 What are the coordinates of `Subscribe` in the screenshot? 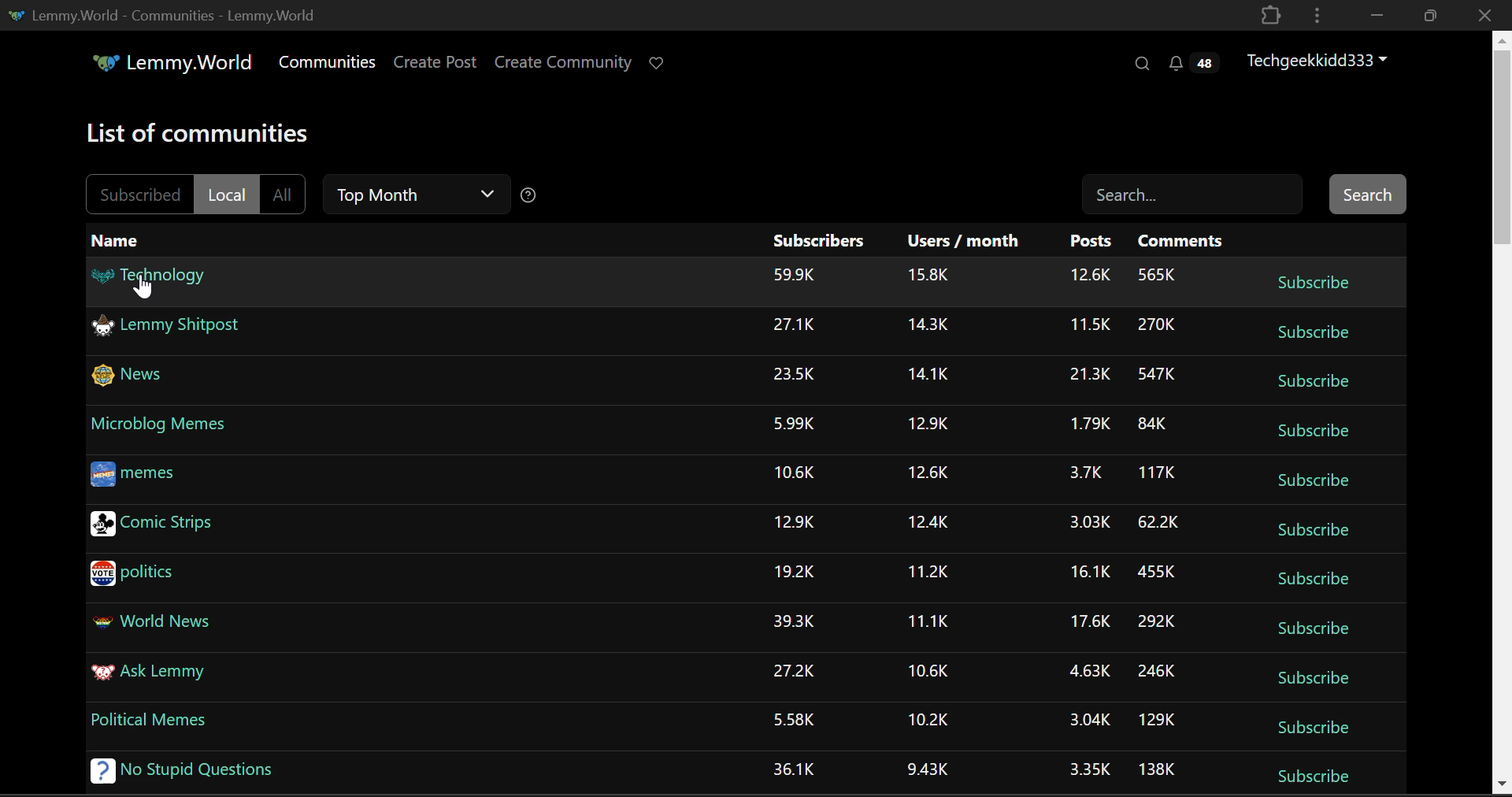 It's located at (1312, 480).